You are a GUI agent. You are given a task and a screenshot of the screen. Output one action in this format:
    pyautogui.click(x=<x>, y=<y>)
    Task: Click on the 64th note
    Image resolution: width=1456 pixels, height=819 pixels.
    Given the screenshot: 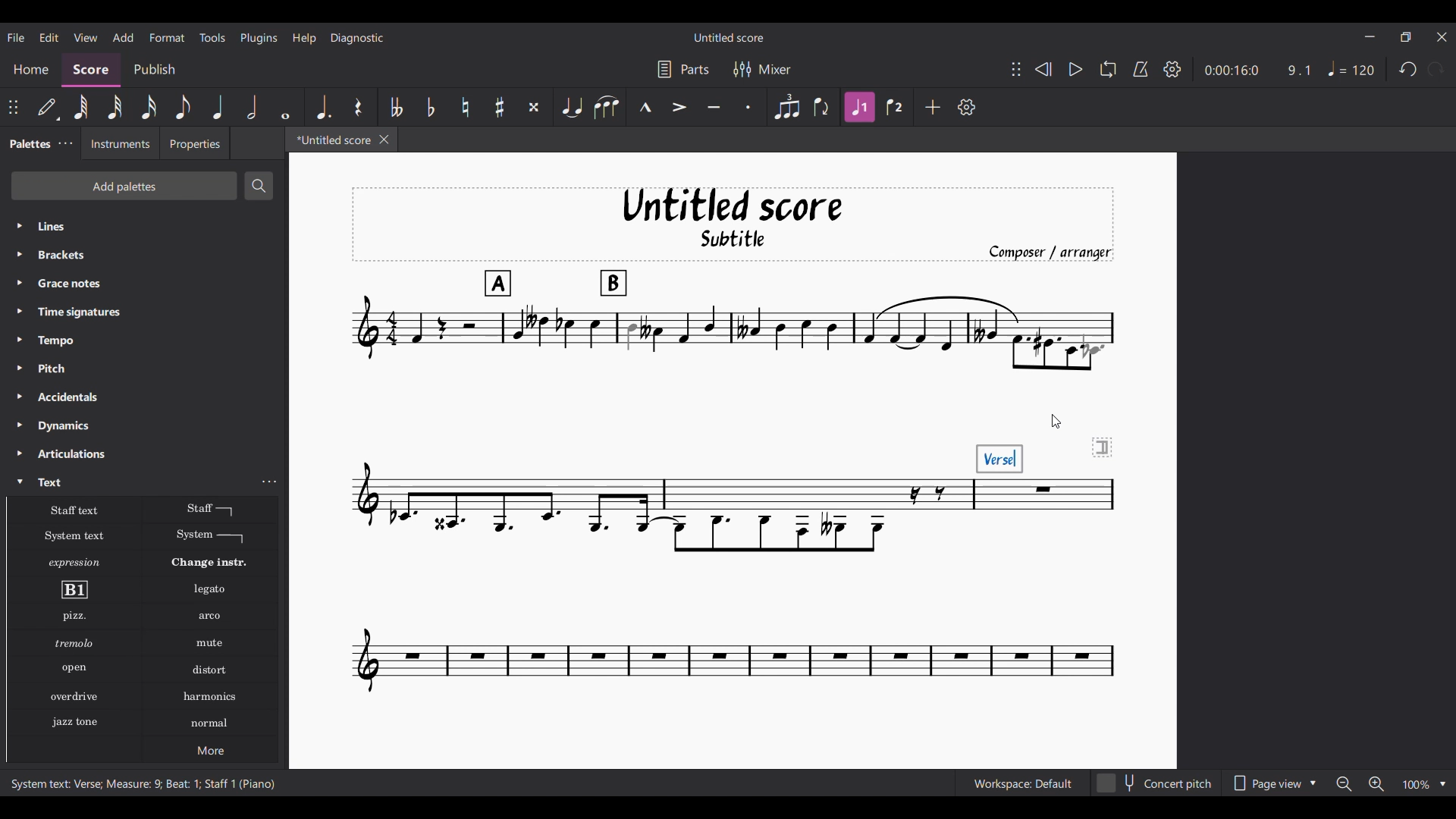 What is the action you would take?
    pyautogui.click(x=81, y=107)
    